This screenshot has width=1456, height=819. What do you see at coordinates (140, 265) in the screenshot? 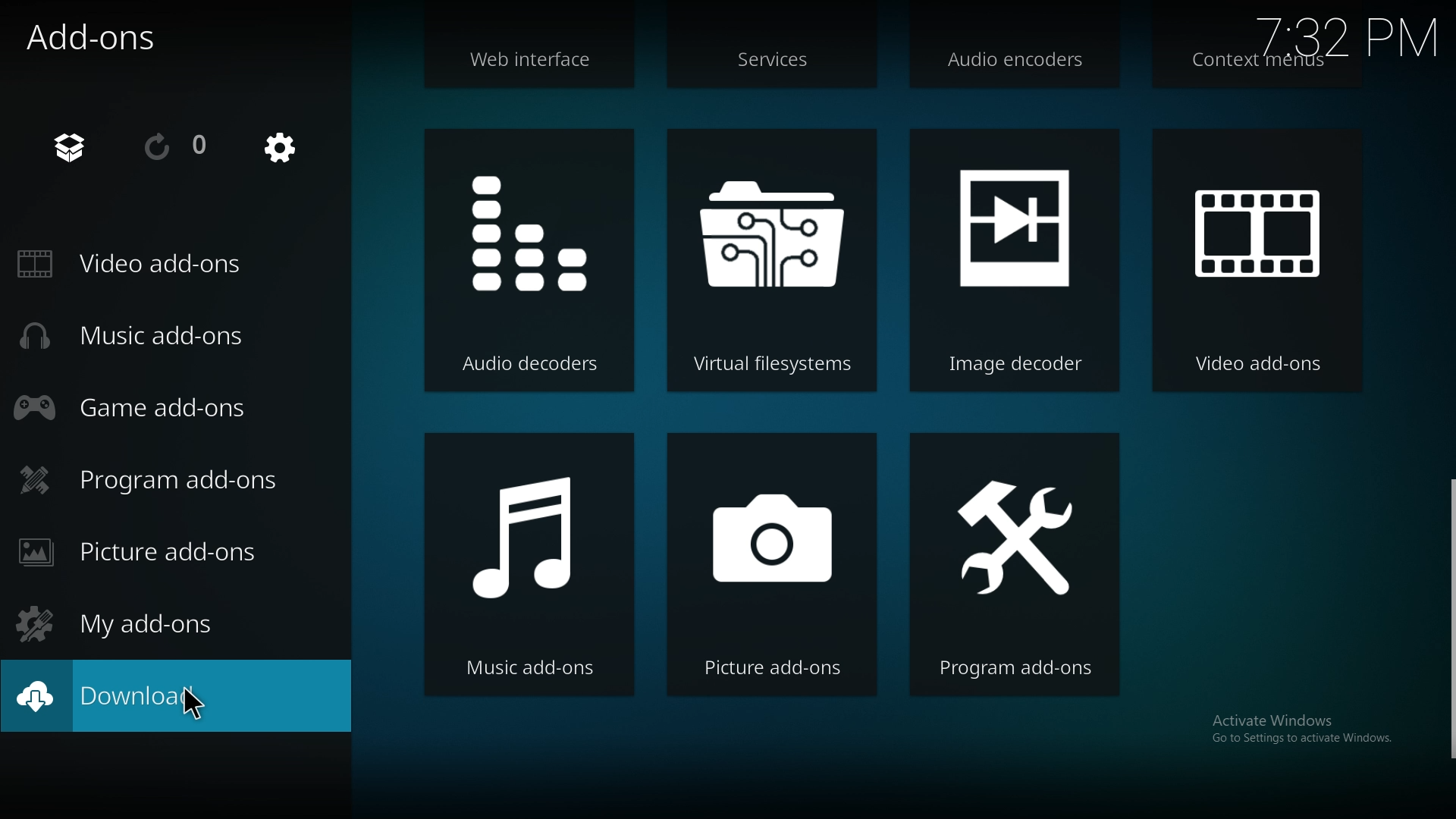
I see `video add ons` at bounding box center [140, 265].